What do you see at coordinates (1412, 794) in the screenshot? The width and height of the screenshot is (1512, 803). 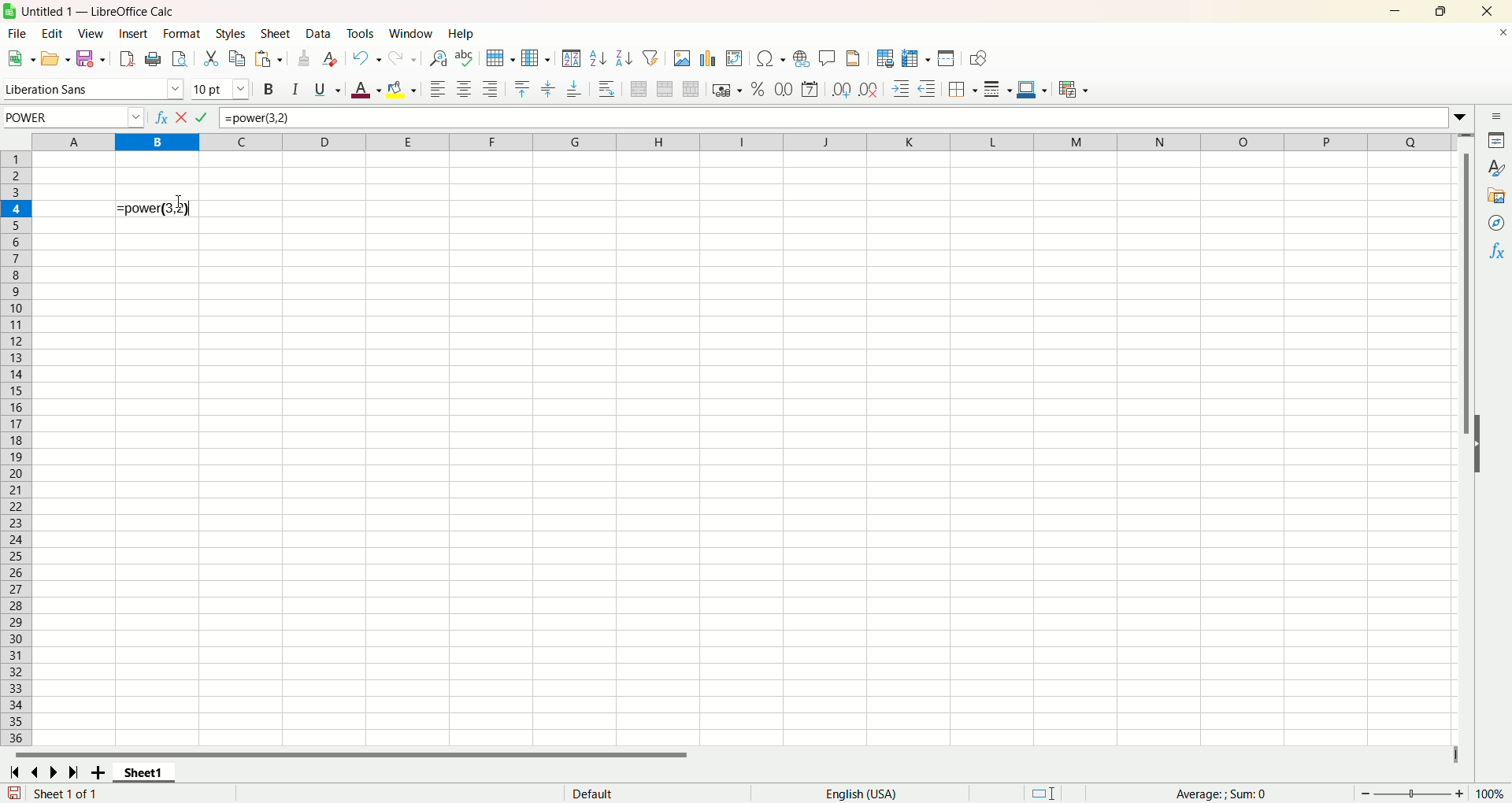 I see `zoom bar` at bounding box center [1412, 794].